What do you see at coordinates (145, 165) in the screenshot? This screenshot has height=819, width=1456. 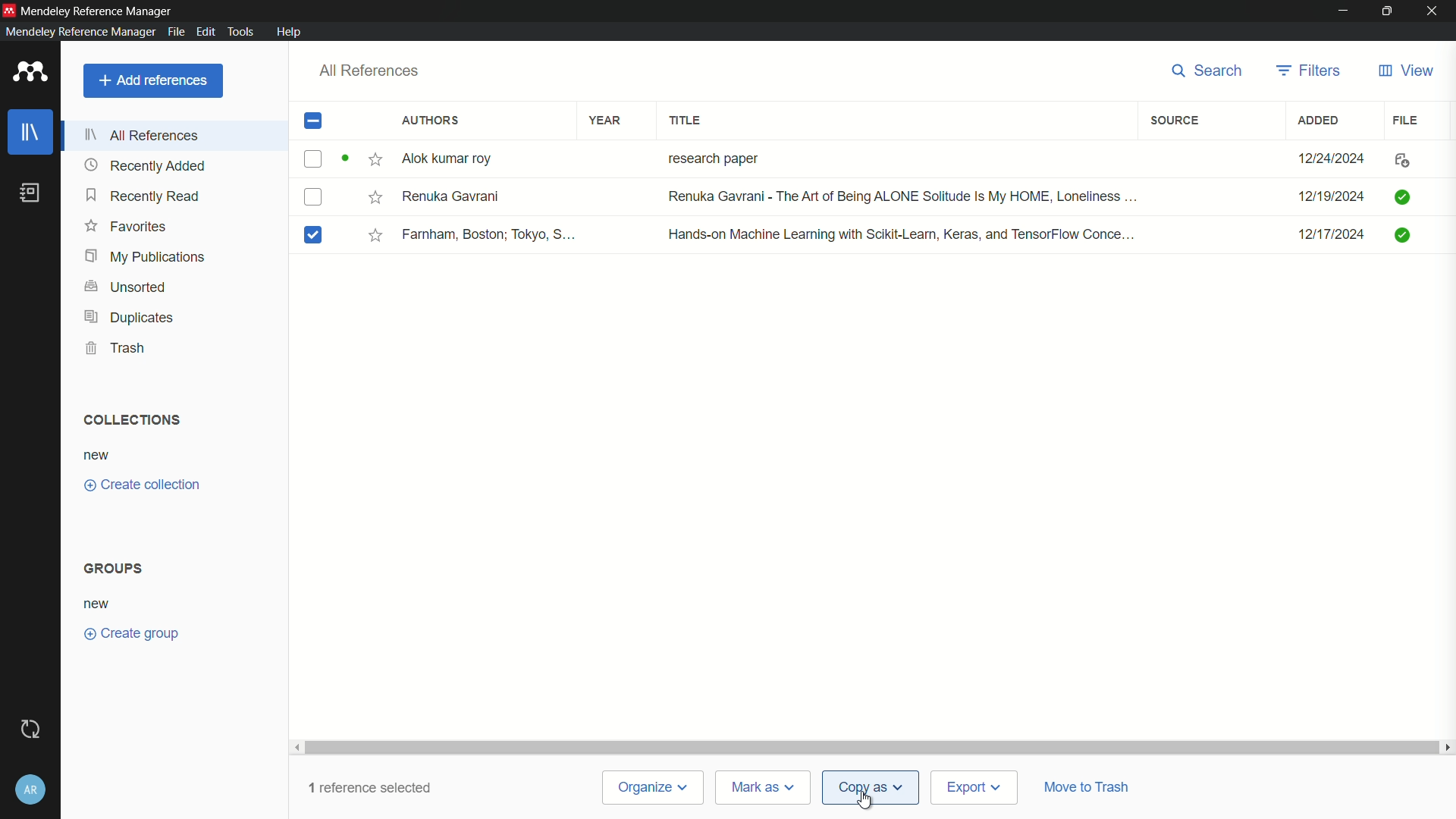 I see `recently added` at bounding box center [145, 165].